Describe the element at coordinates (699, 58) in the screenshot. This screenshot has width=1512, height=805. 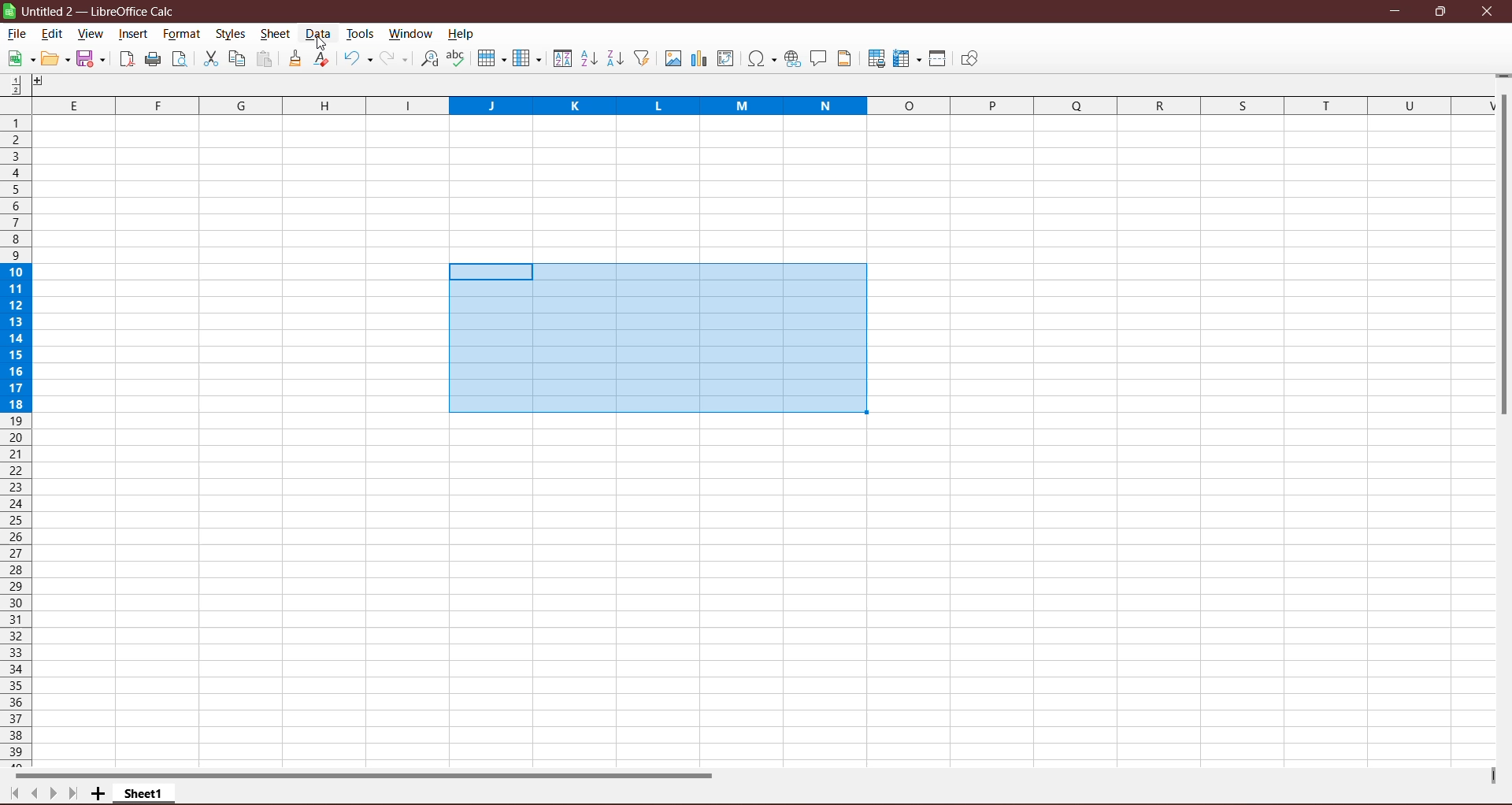
I see `Insert Poll` at that location.